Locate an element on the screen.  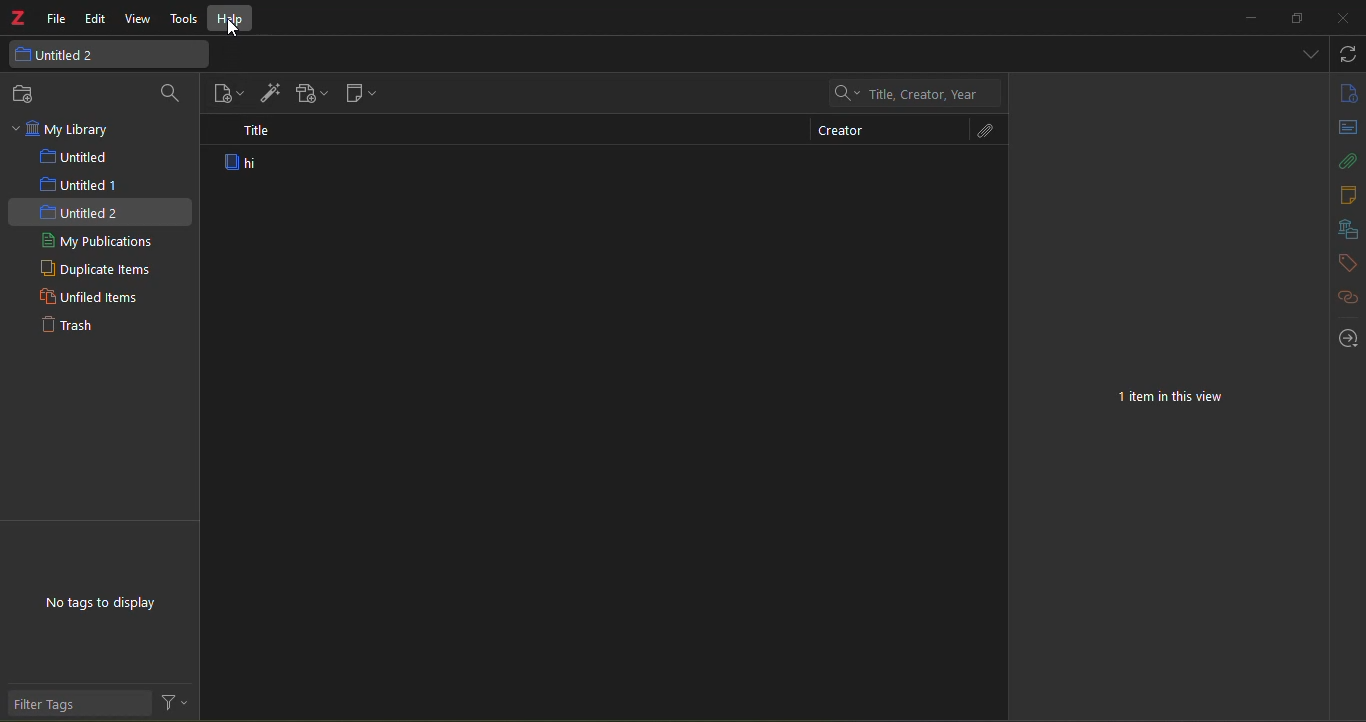
my publications is located at coordinates (96, 240).